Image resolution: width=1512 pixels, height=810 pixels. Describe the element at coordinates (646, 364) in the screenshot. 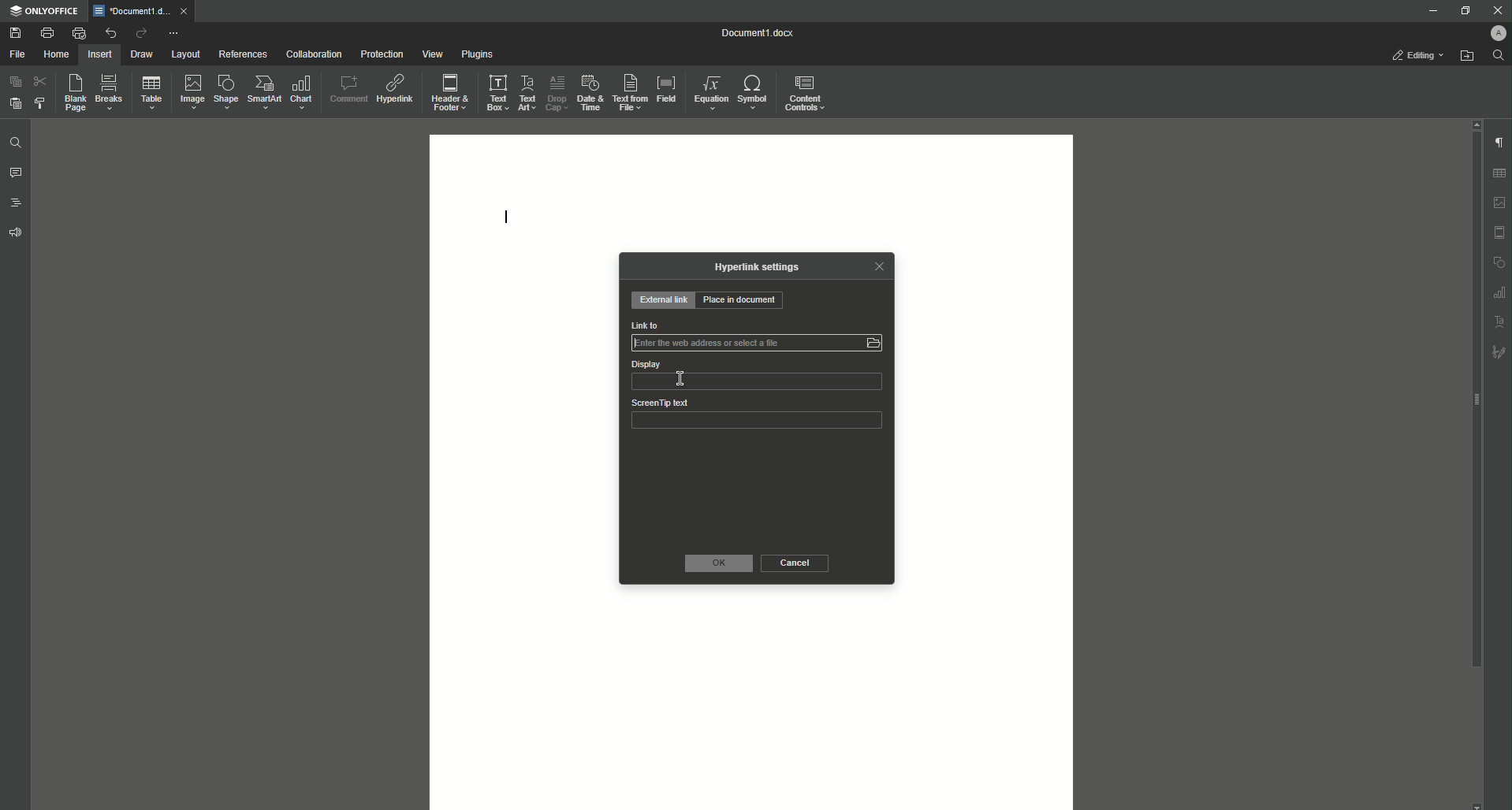

I see `Display` at that location.